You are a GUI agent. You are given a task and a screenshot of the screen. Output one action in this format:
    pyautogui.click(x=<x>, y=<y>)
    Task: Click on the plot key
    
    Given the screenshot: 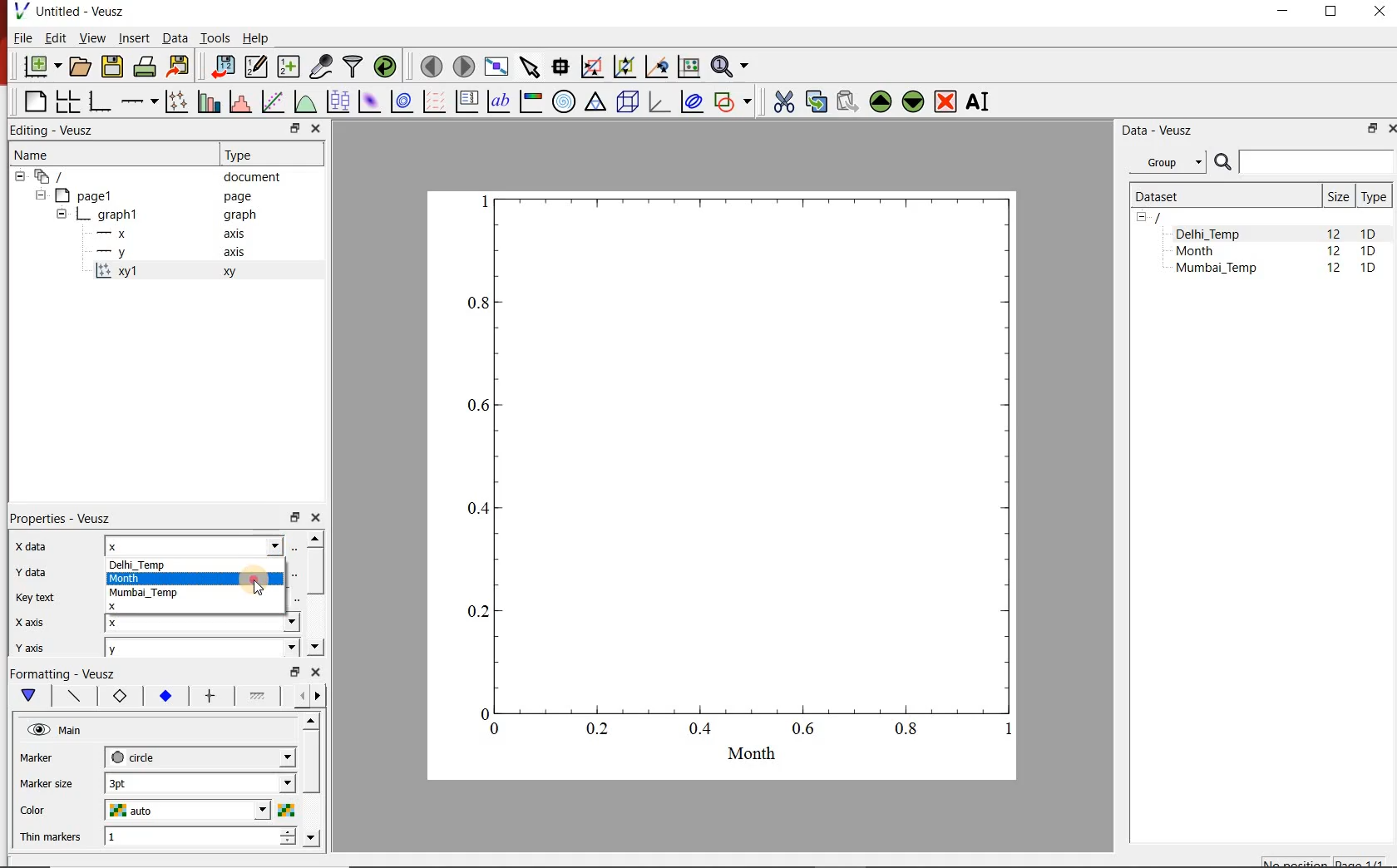 What is the action you would take?
    pyautogui.click(x=466, y=102)
    